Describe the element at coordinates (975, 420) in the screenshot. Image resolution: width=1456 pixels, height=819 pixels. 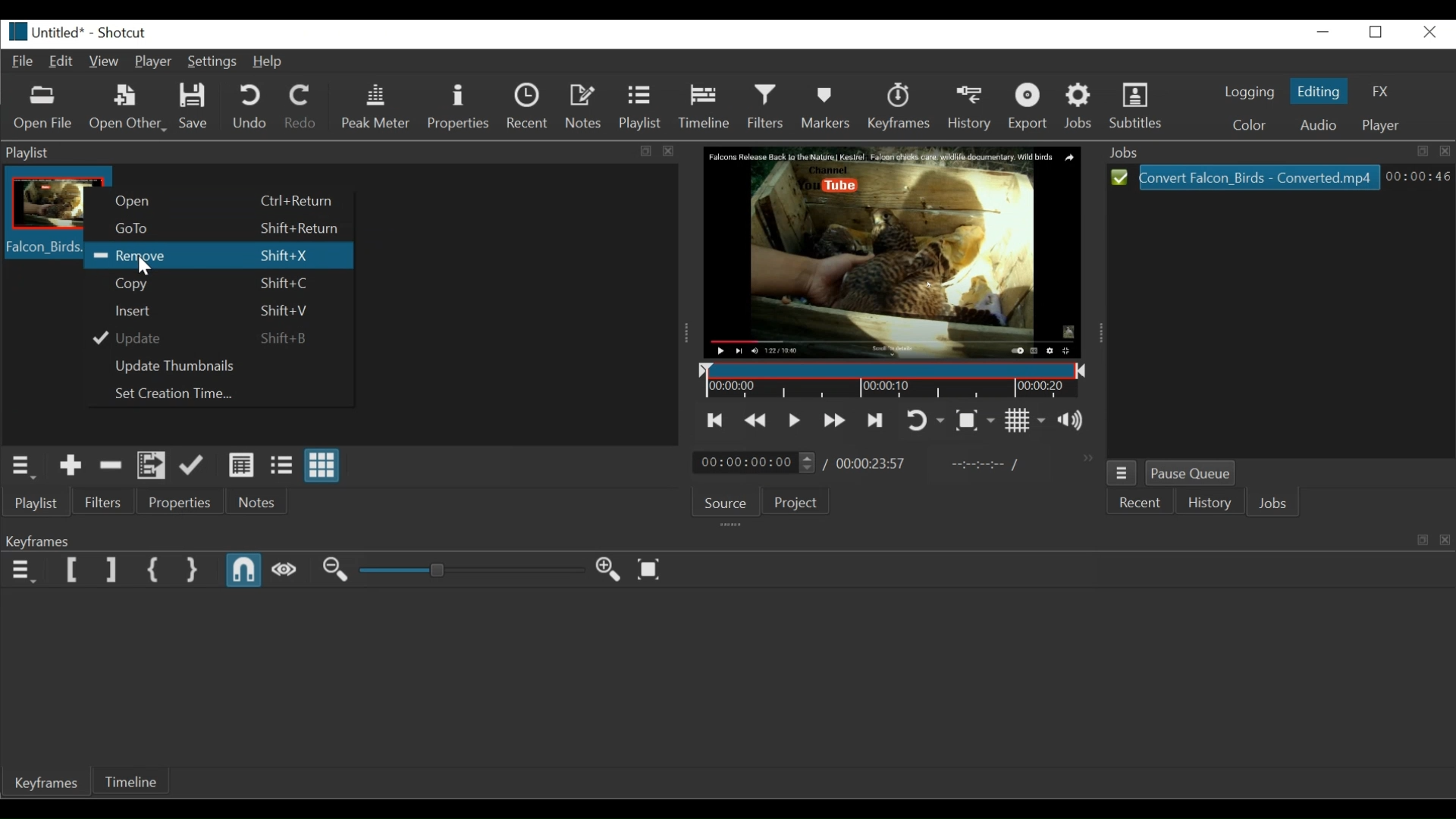
I see `Toggle Zoom` at that location.